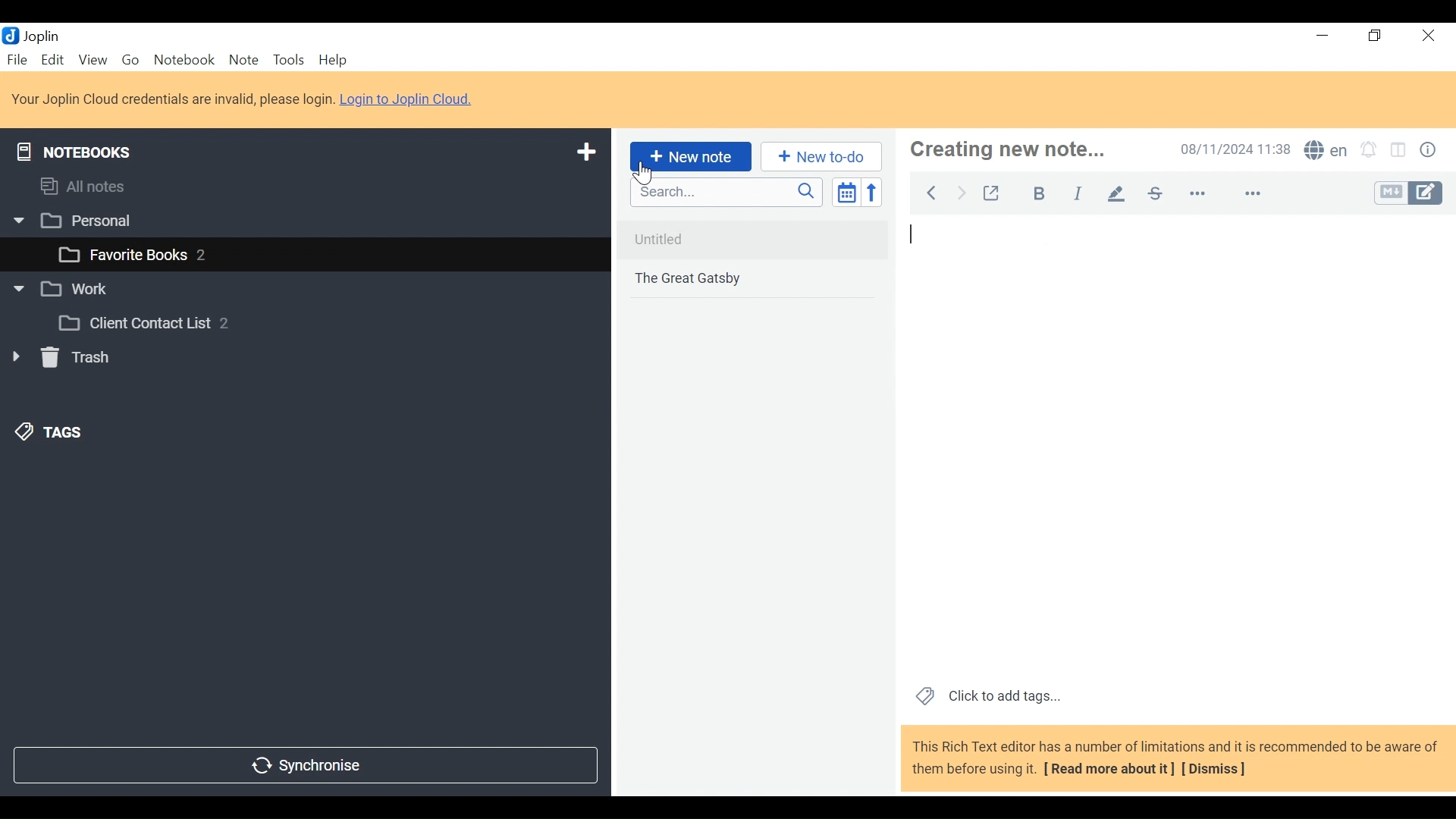 Image resolution: width=1456 pixels, height=819 pixels. Describe the element at coordinates (1368, 152) in the screenshot. I see `Set alarms` at that location.